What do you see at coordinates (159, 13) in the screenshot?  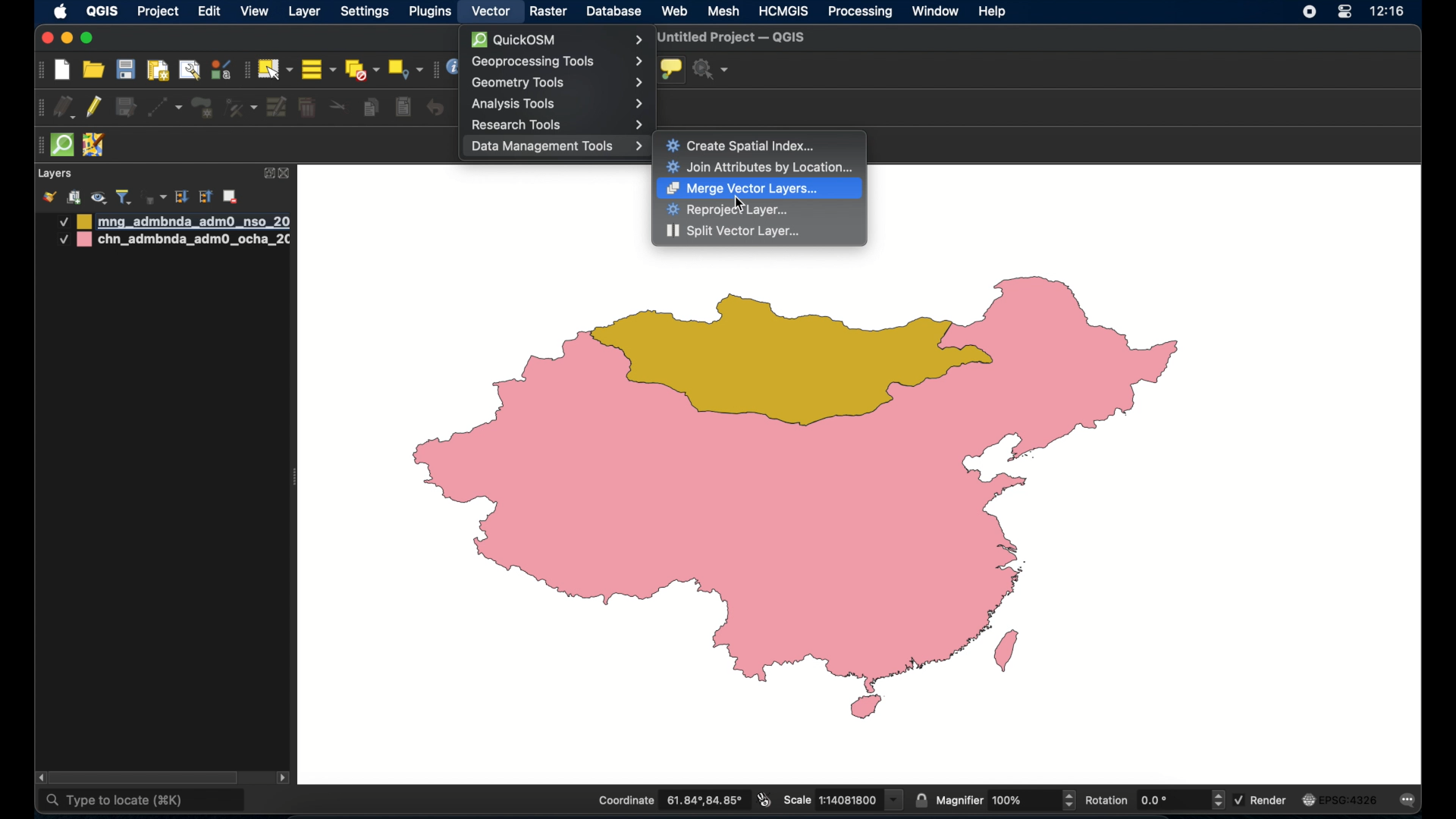 I see `project` at bounding box center [159, 13].